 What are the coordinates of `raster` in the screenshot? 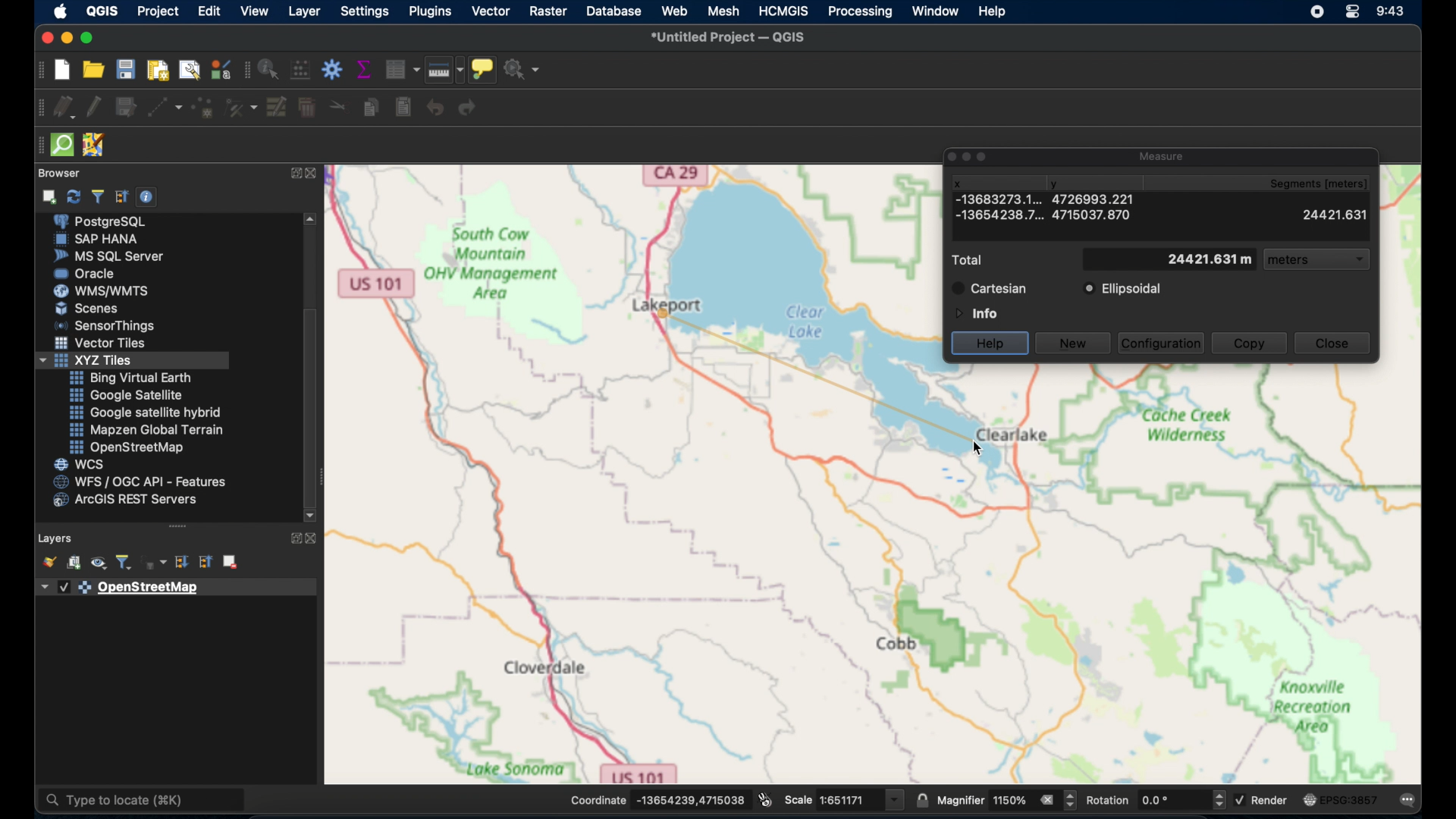 It's located at (548, 11).